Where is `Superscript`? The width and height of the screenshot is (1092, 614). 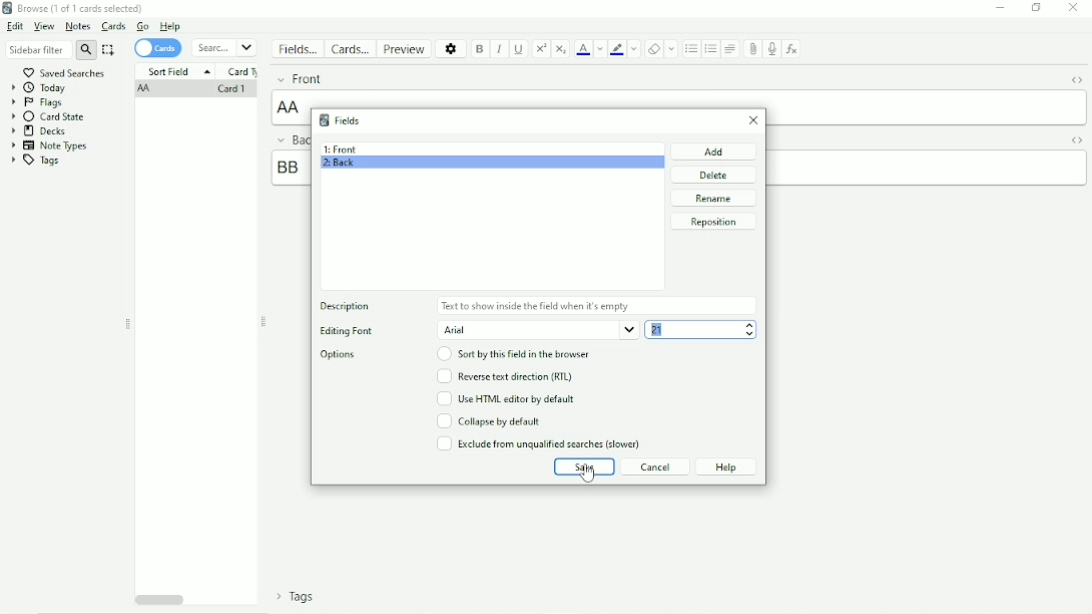 Superscript is located at coordinates (541, 49).